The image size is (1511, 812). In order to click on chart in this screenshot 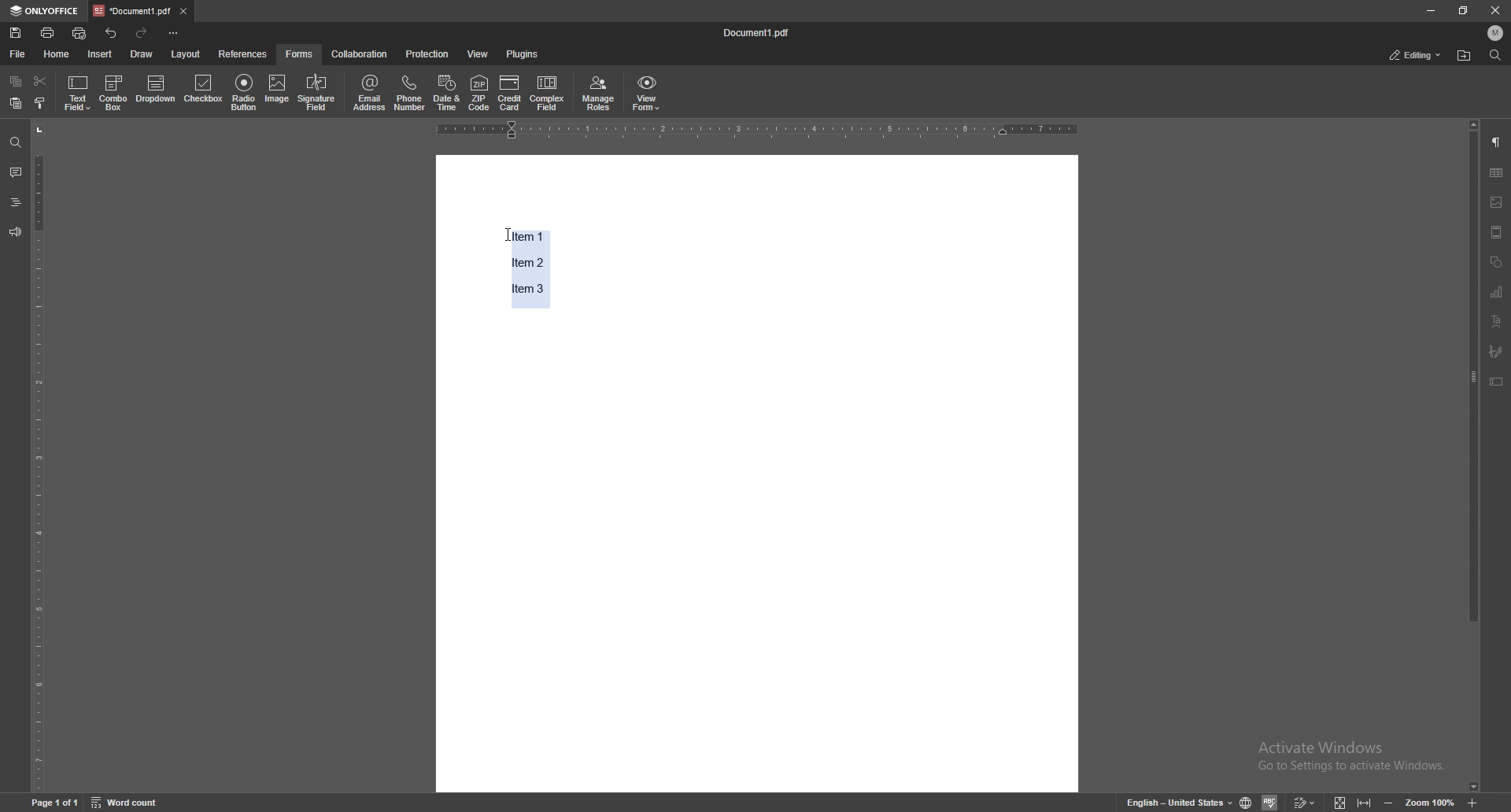, I will do `click(1498, 292)`.